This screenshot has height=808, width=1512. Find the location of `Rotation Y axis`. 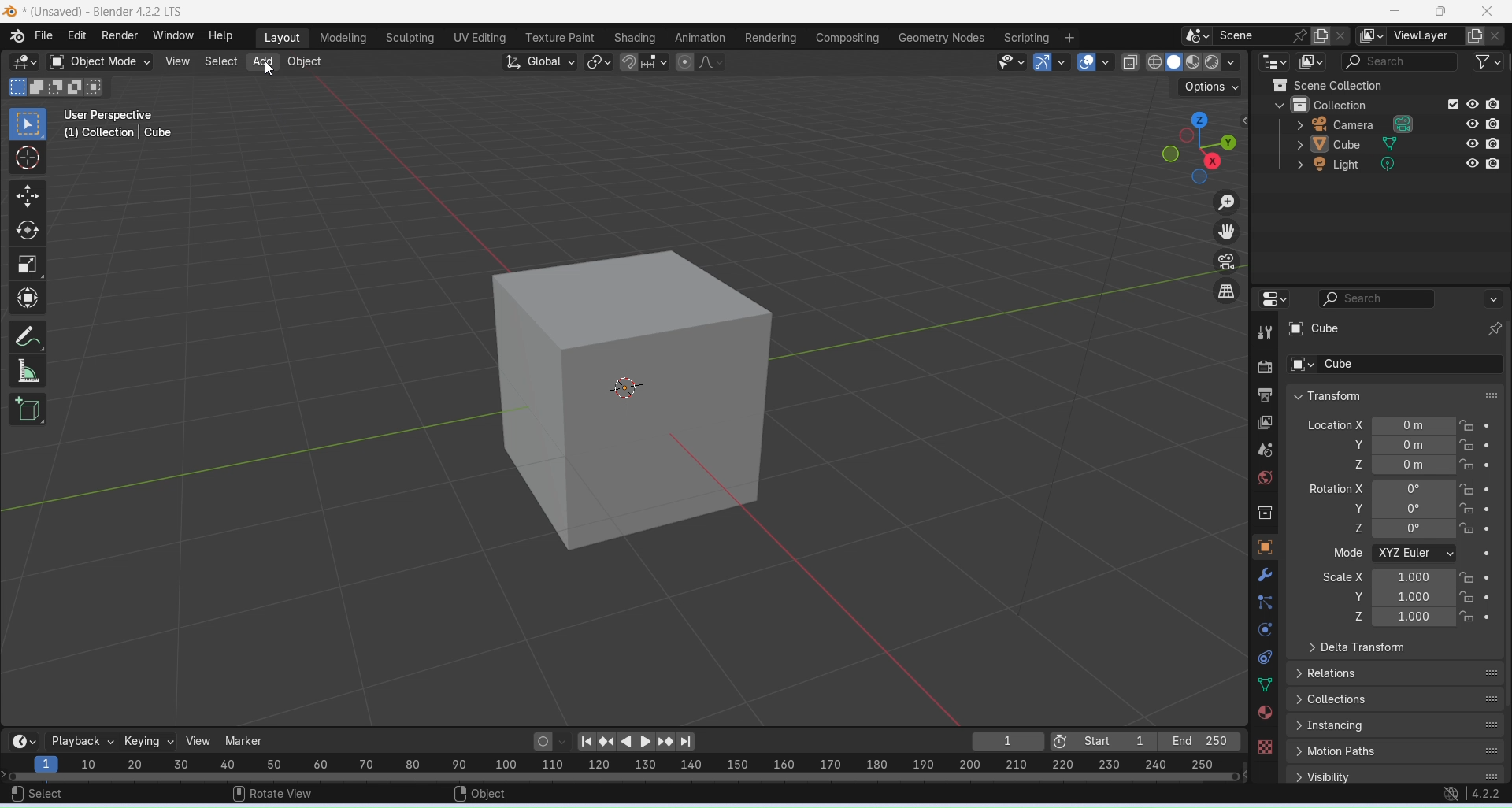

Rotation Y axis is located at coordinates (1358, 509).